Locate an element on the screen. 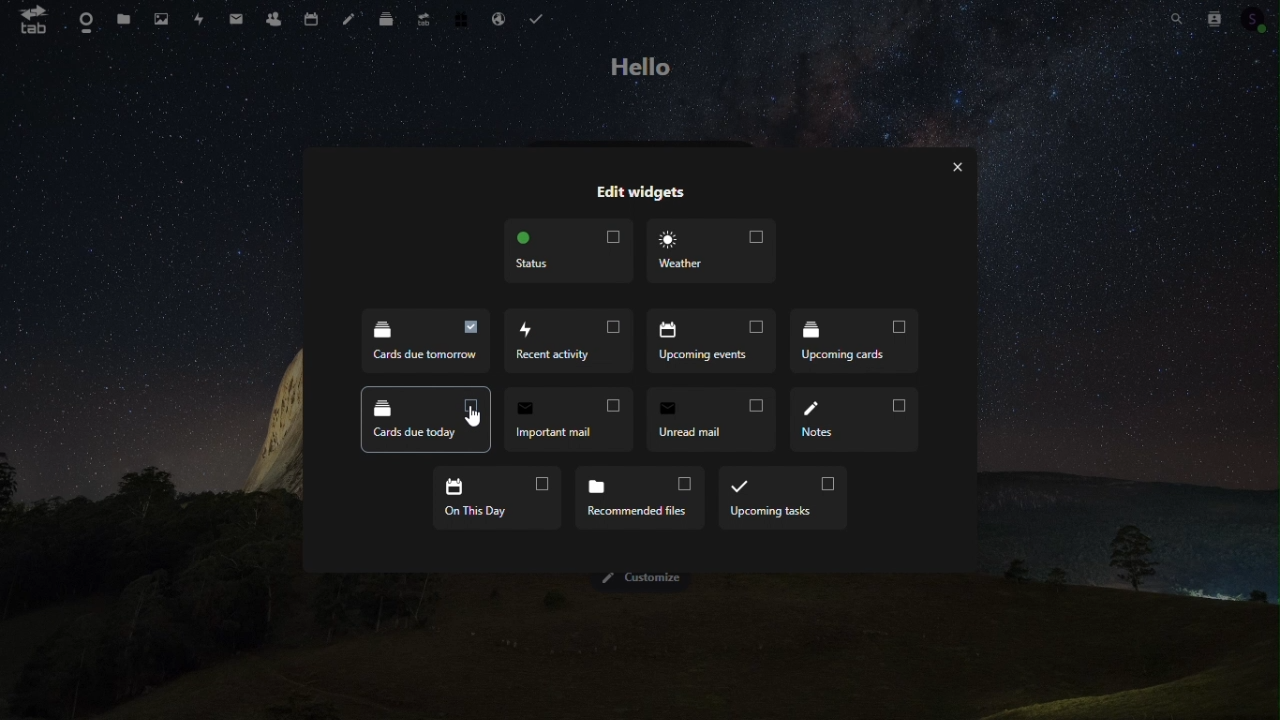 This screenshot has width=1280, height=720. Contacts is located at coordinates (1215, 16).